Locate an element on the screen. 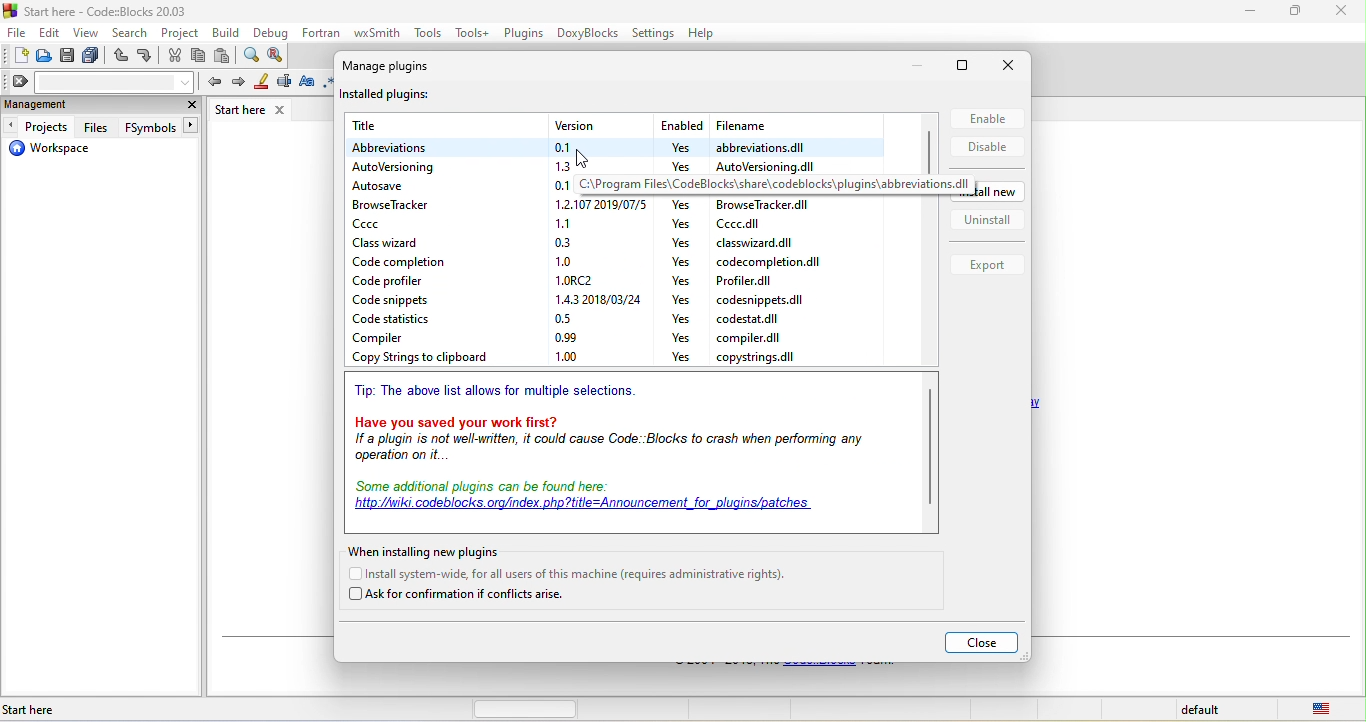  version  is located at coordinates (580, 280).